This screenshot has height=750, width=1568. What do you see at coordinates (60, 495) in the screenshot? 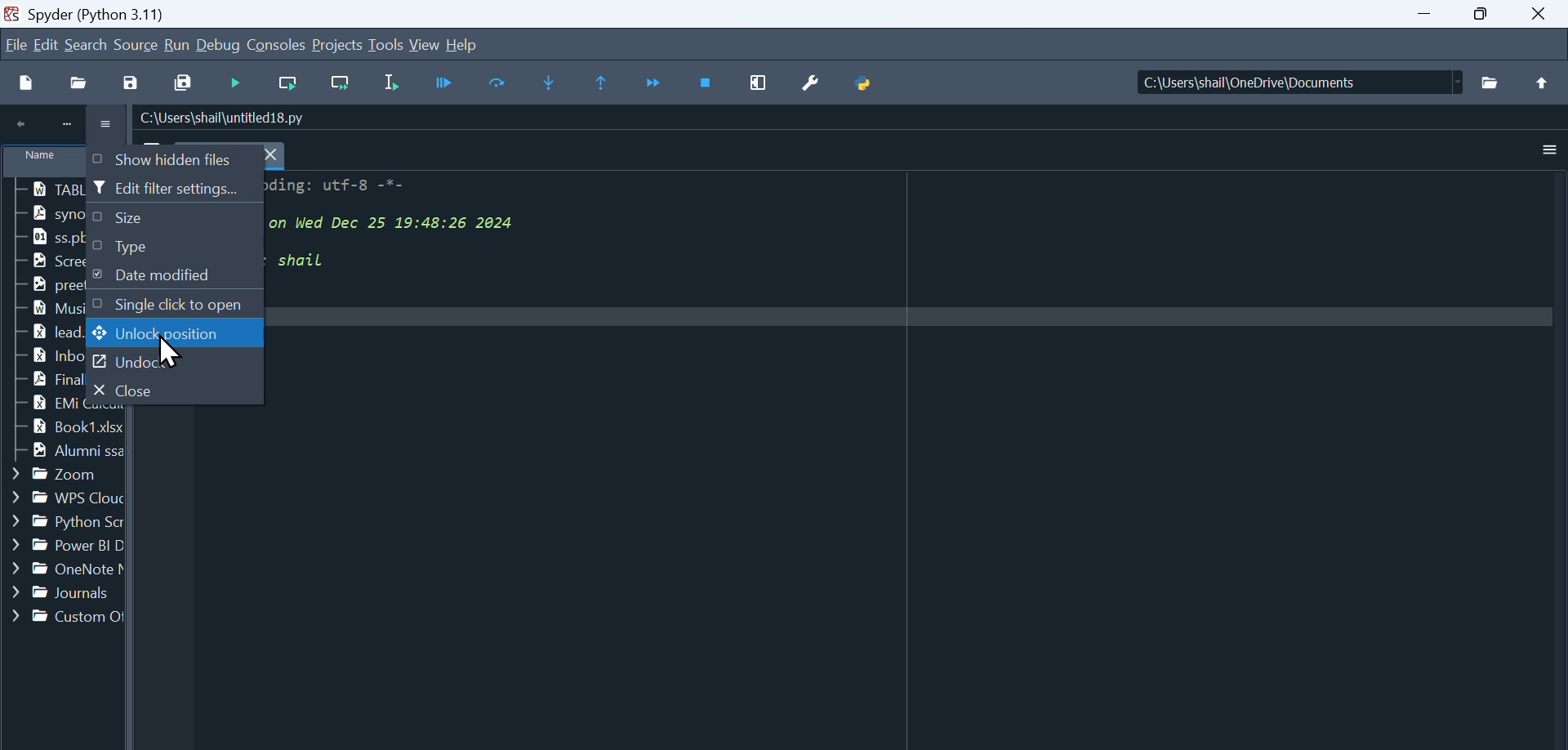
I see `WPS Clou..` at bounding box center [60, 495].